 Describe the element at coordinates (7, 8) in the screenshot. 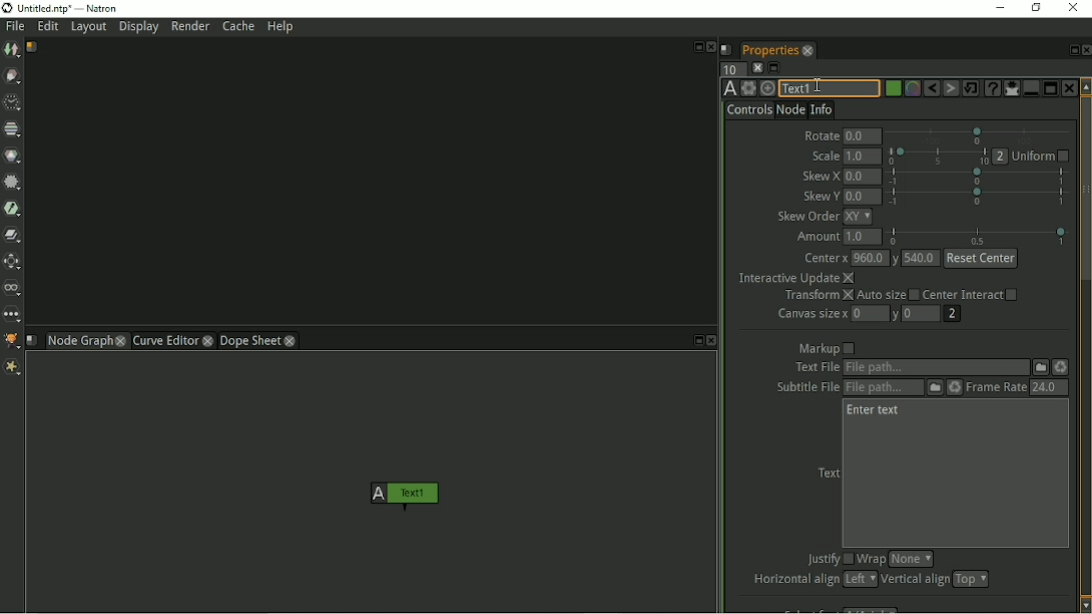

I see `logo` at that location.